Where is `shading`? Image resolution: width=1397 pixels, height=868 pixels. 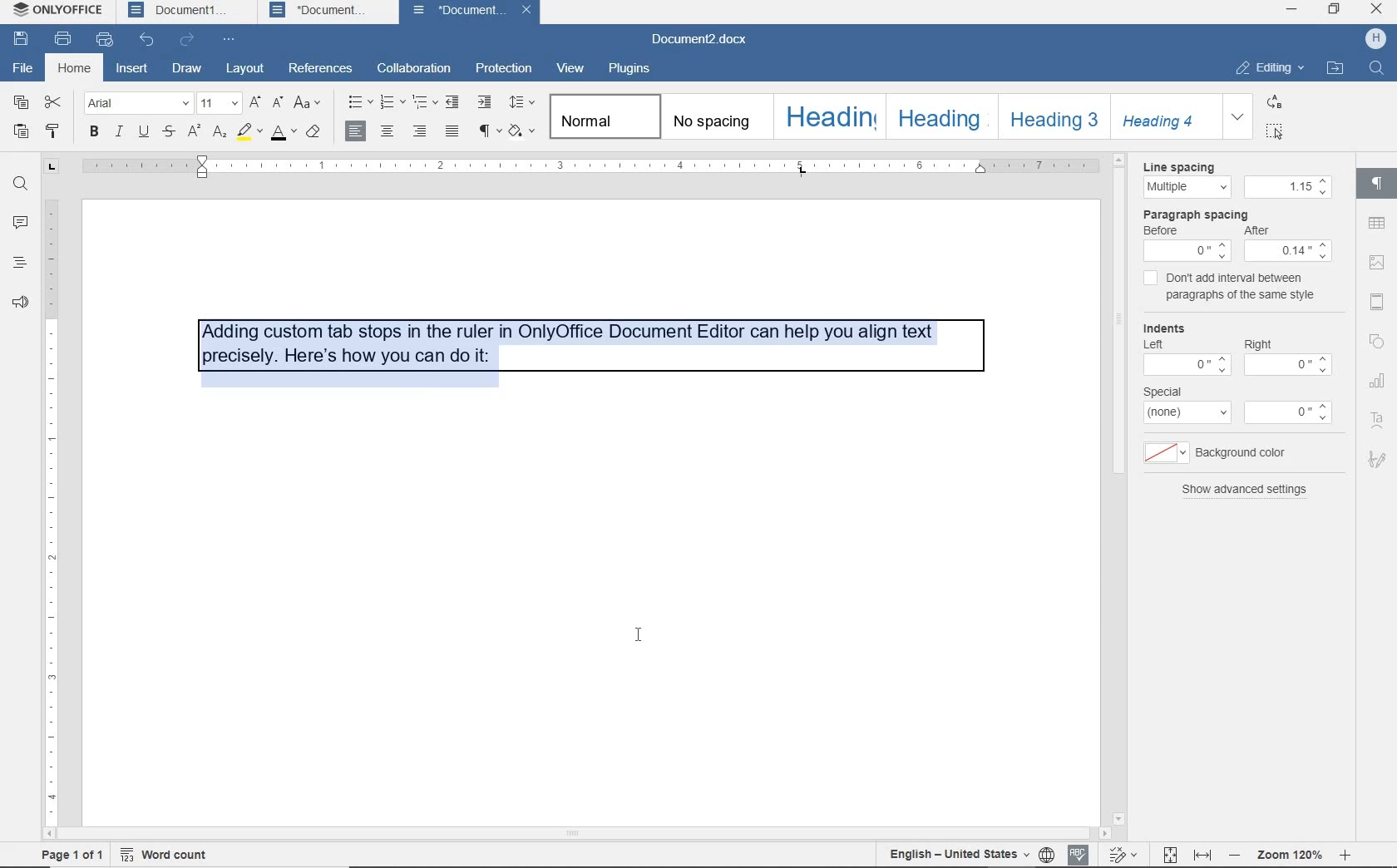 shading is located at coordinates (521, 131).